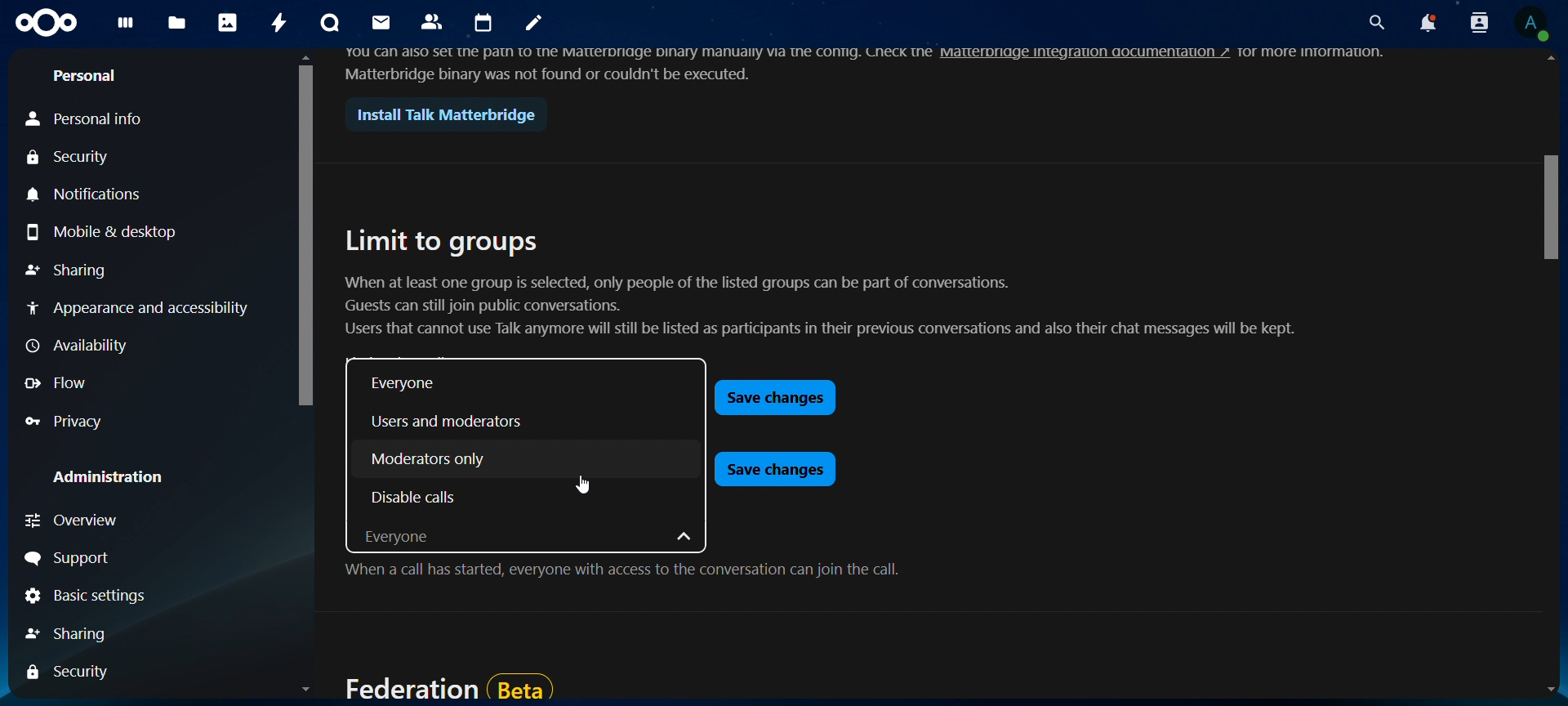 The width and height of the screenshot is (1568, 706). Describe the element at coordinates (87, 597) in the screenshot. I see `Basic settings` at that location.